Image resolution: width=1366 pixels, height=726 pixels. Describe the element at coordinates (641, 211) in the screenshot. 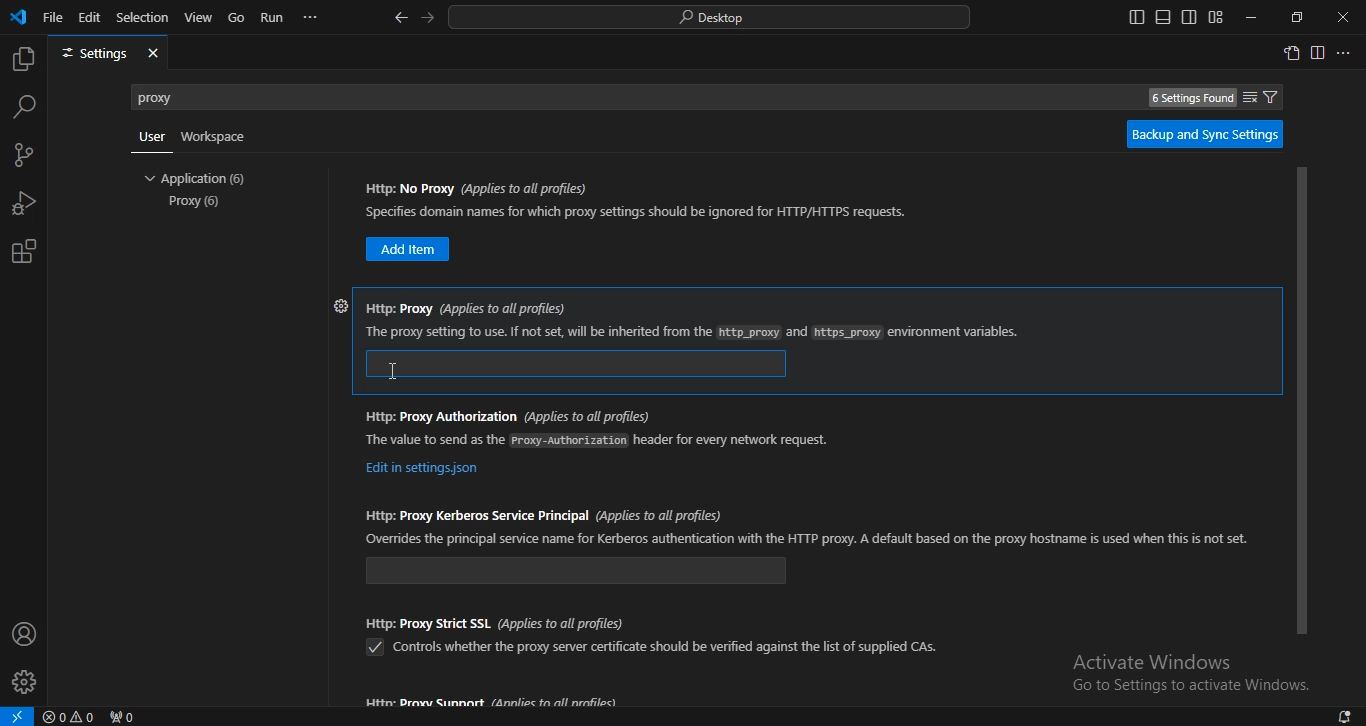

I see `https: no proxy` at that location.